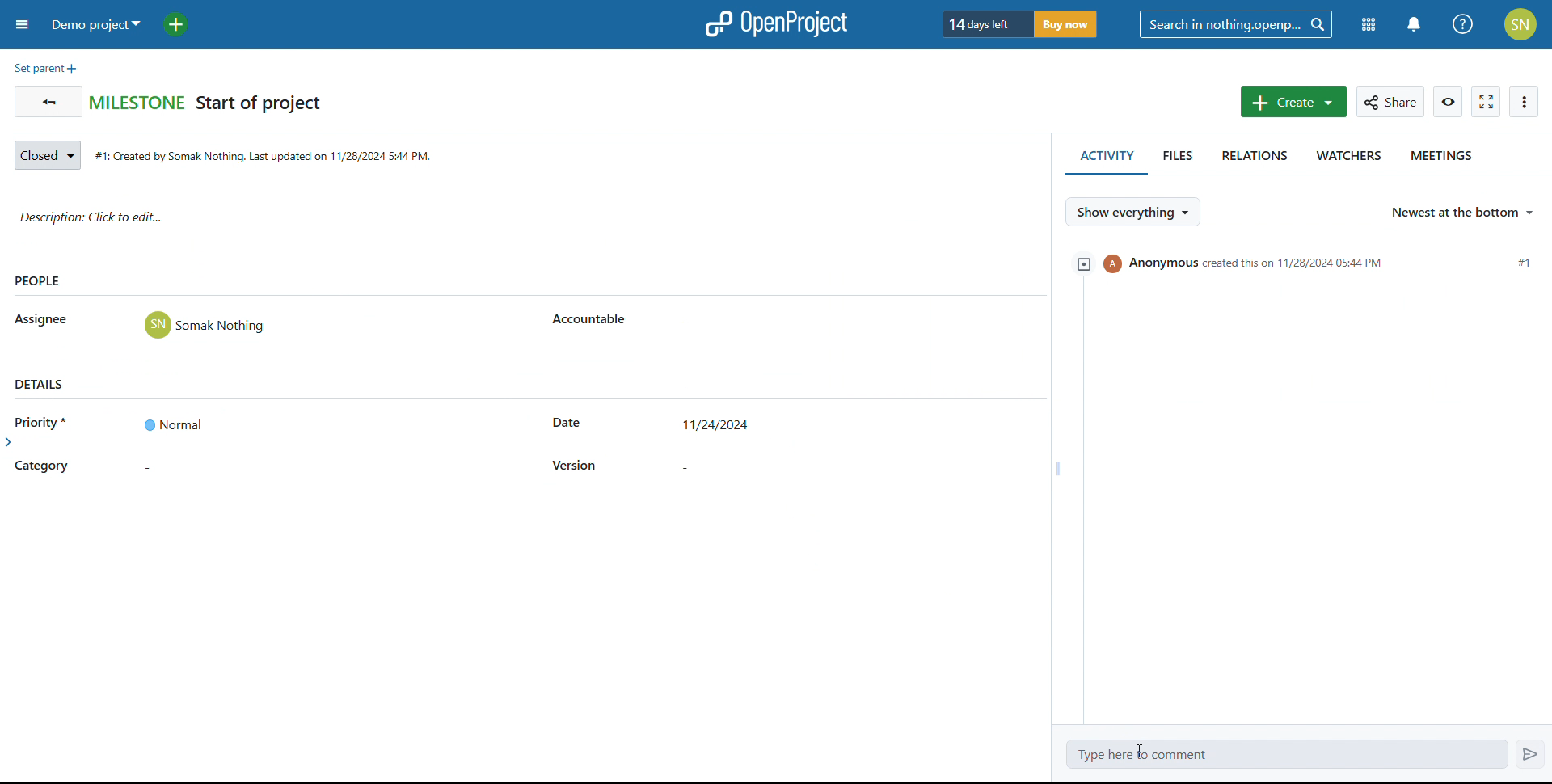  I want to click on activity, so click(1104, 159).